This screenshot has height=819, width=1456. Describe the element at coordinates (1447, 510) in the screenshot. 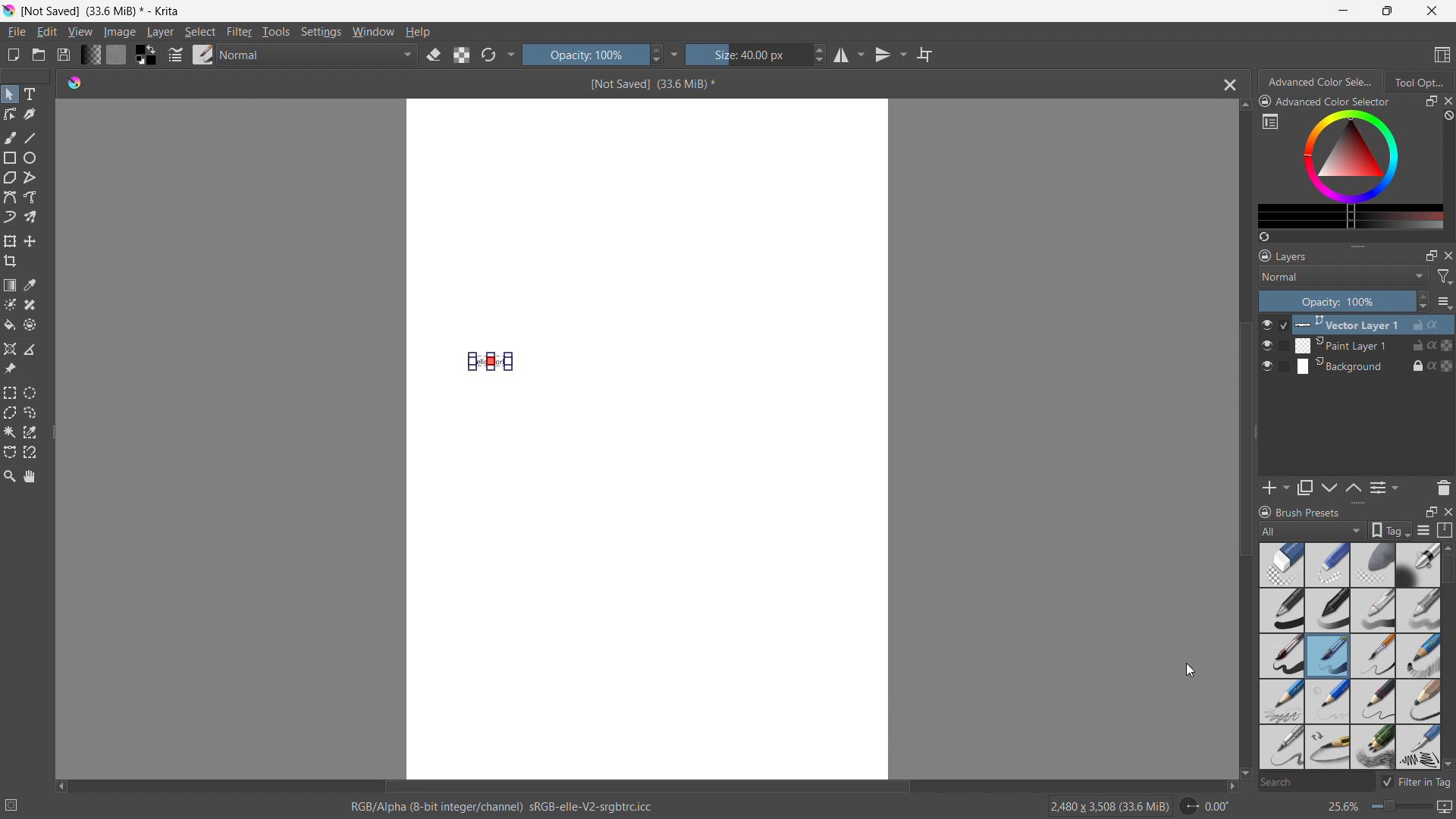

I see `close` at that location.